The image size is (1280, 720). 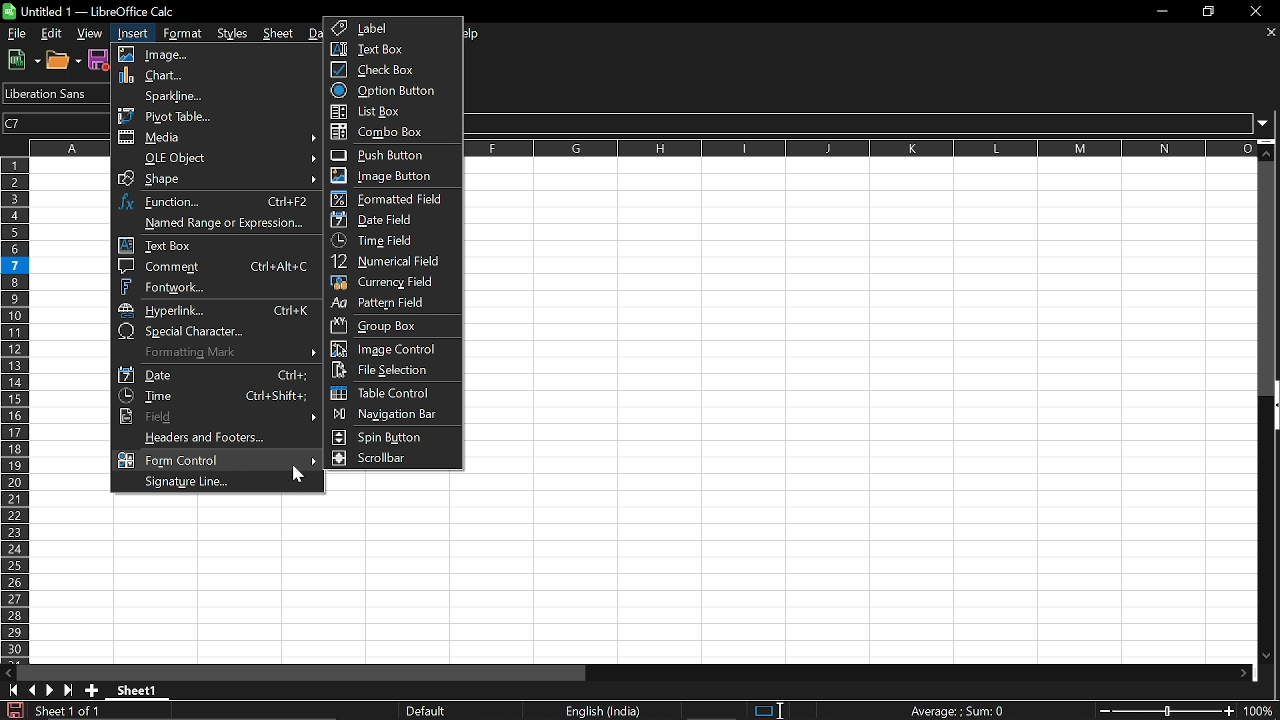 I want to click on Current sheet, so click(x=142, y=692).